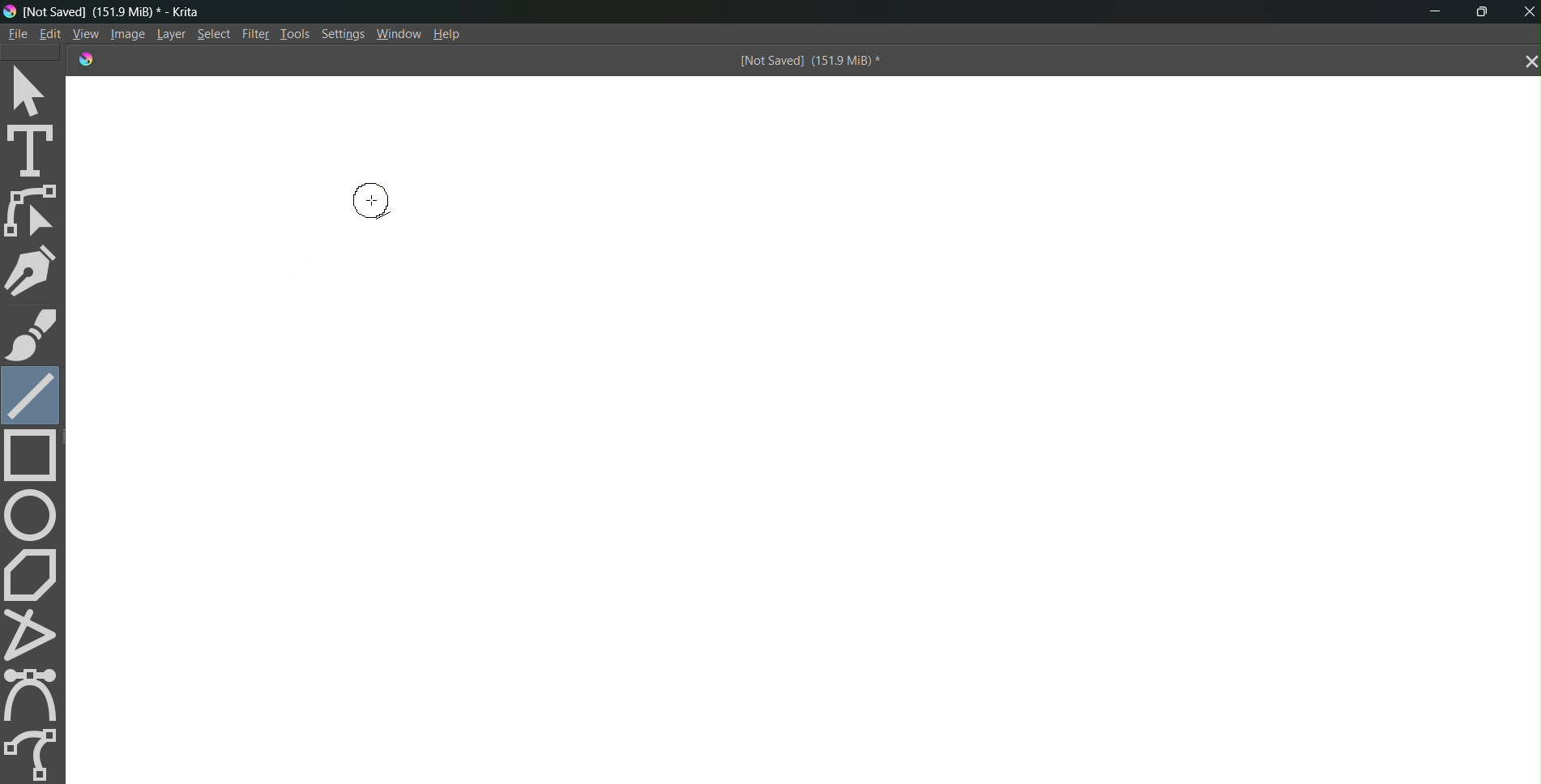 The image size is (1541, 784). Describe the element at coordinates (32, 334) in the screenshot. I see `brush` at that location.